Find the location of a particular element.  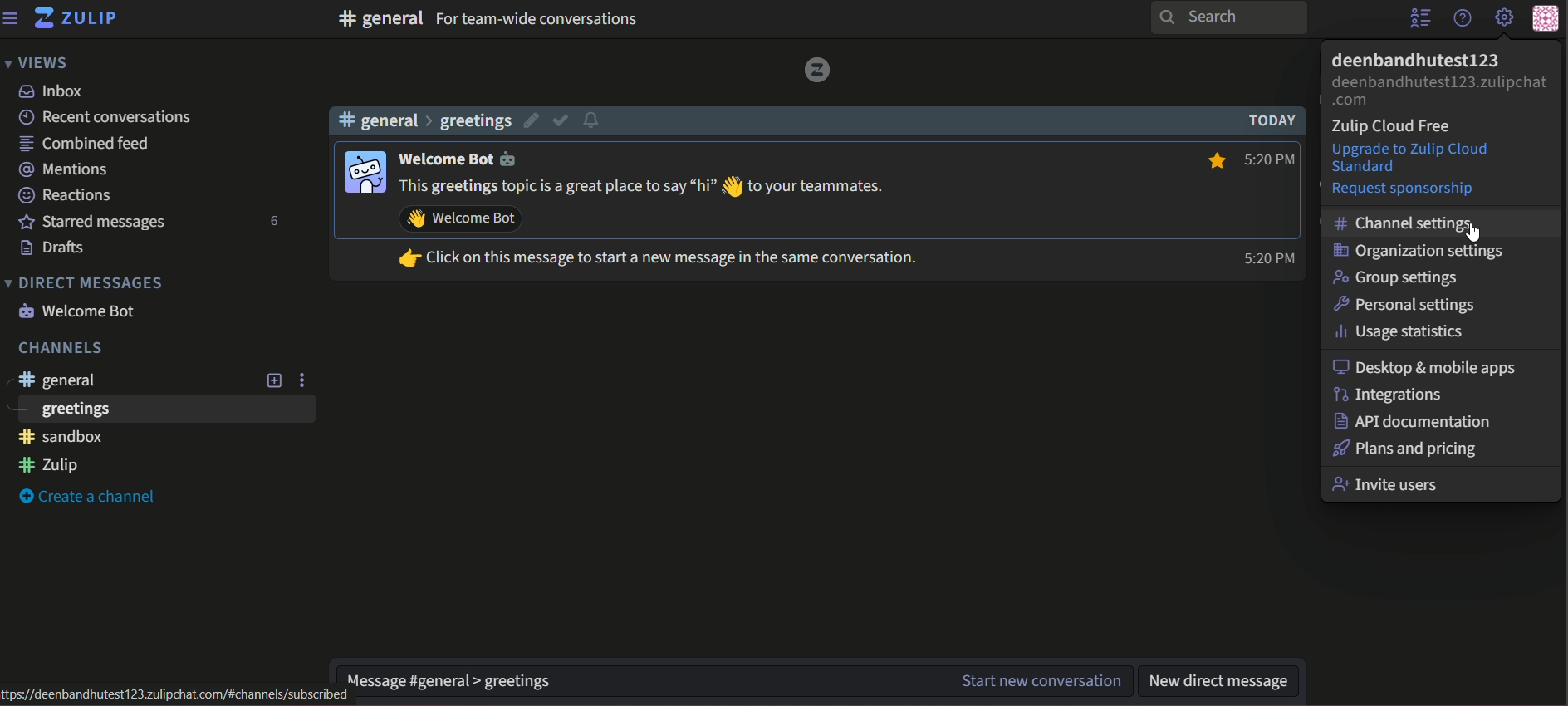

user profile is located at coordinates (362, 170).